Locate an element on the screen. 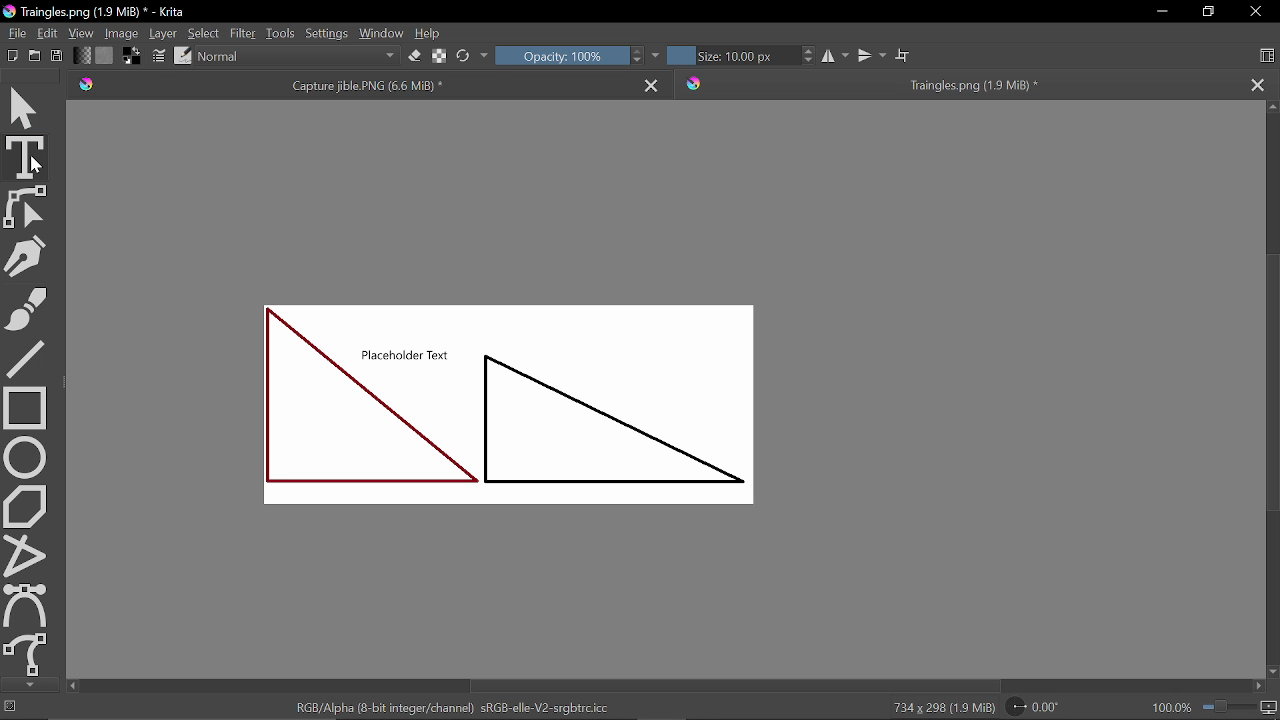 The height and width of the screenshot is (720, 1280). Horizontal scrollbar is located at coordinates (731, 683).